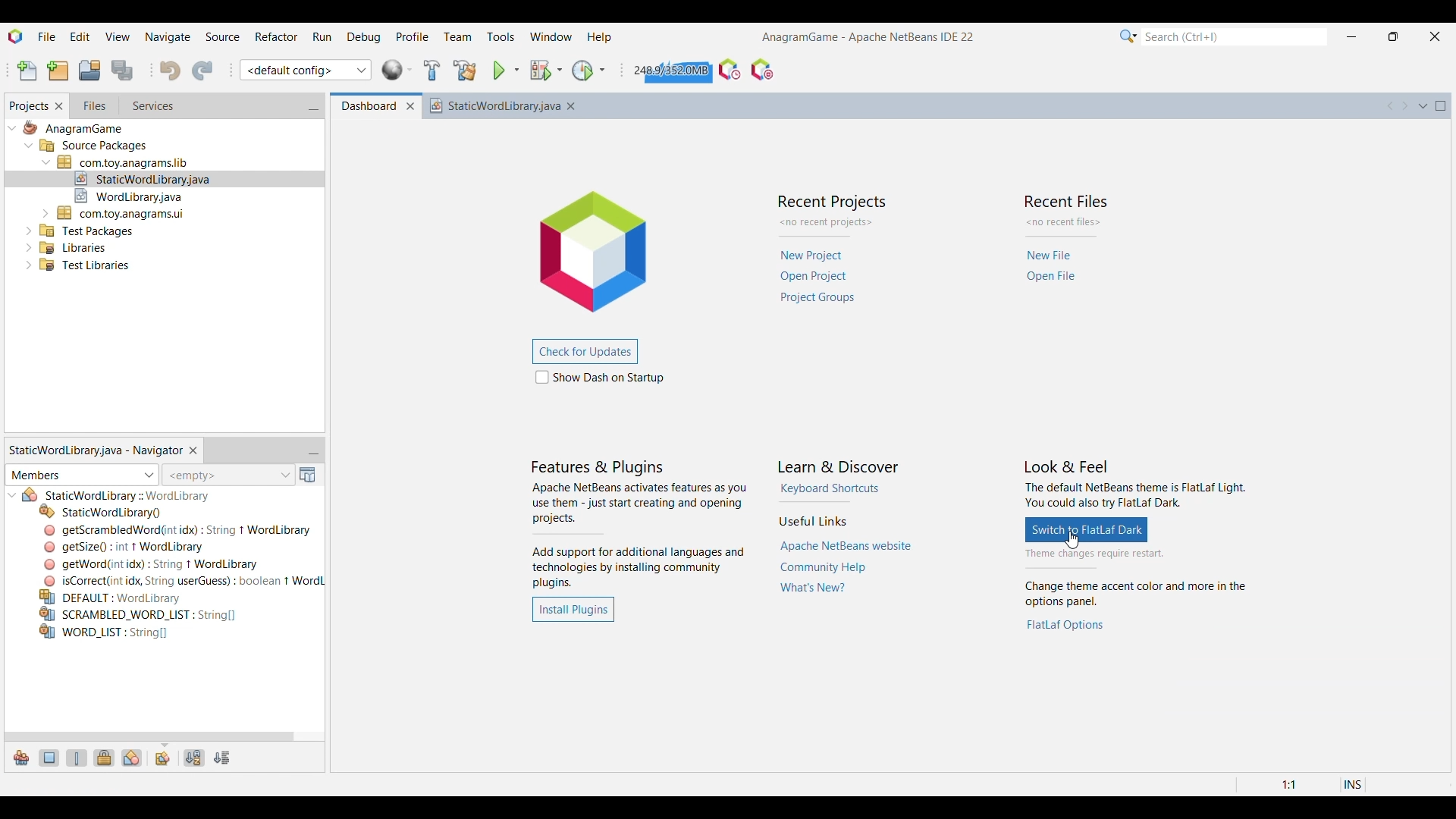 This screenshot has width=1456, height=819. I want to click on Current selection, so click(28, 106).